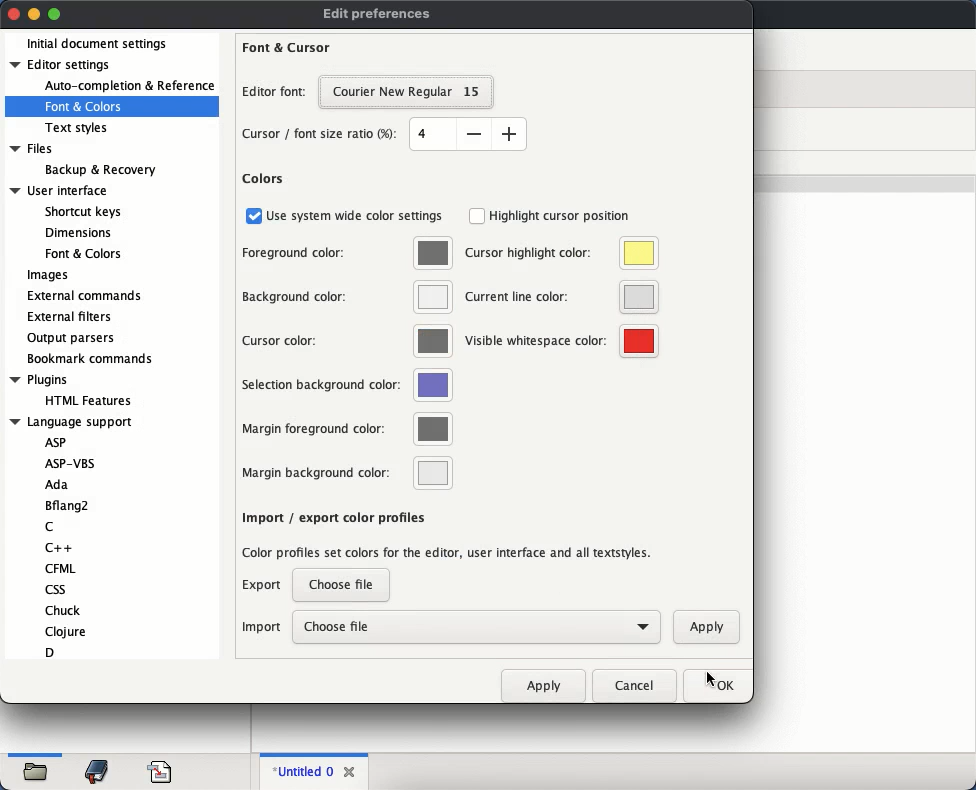 Image resolution: width=976 pixels, height=790 pixels. Describe the element at coordinates (54, 589) in the screenshot. I see `css` at that location.